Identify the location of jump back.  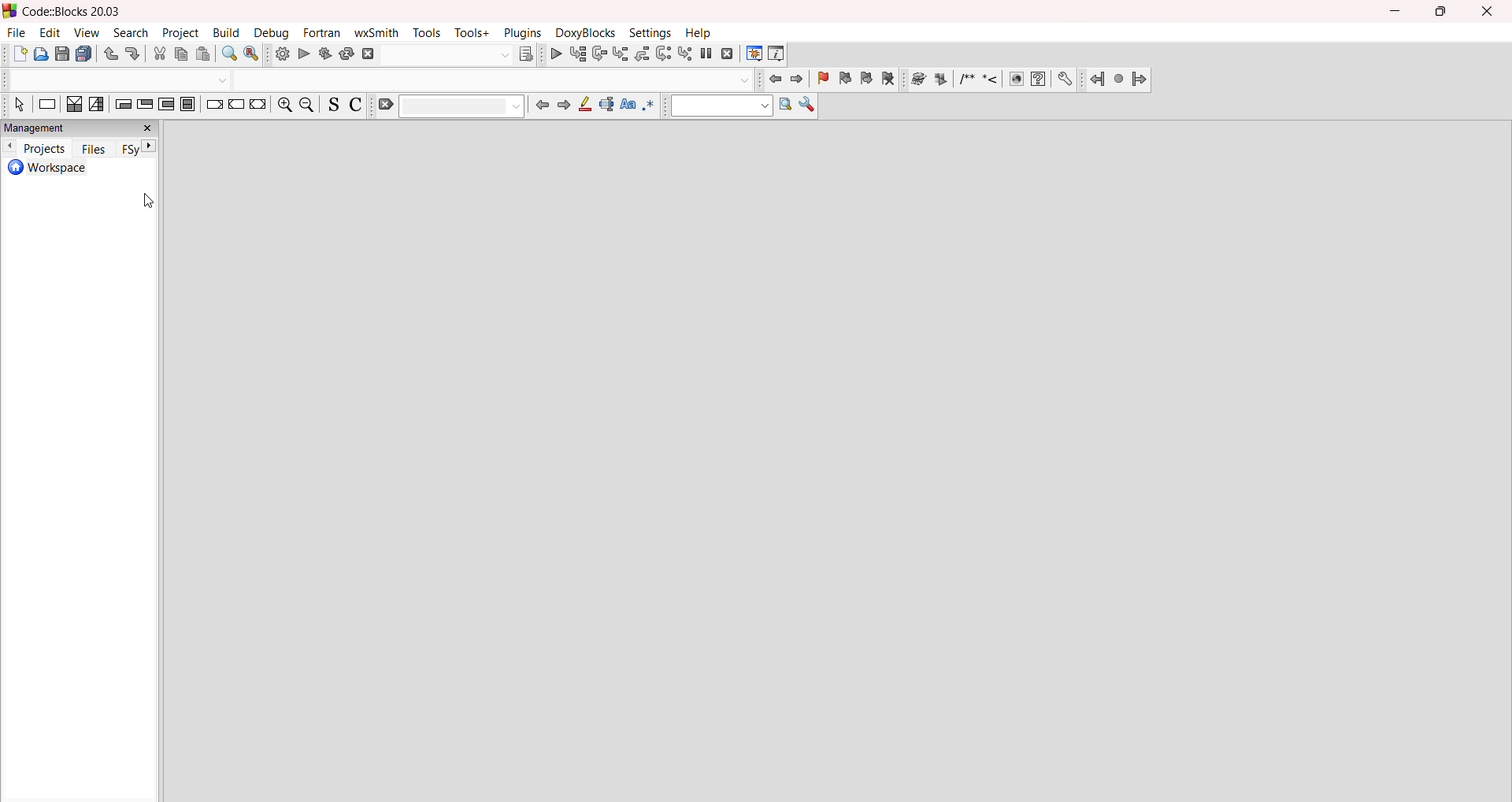
(543, 106).